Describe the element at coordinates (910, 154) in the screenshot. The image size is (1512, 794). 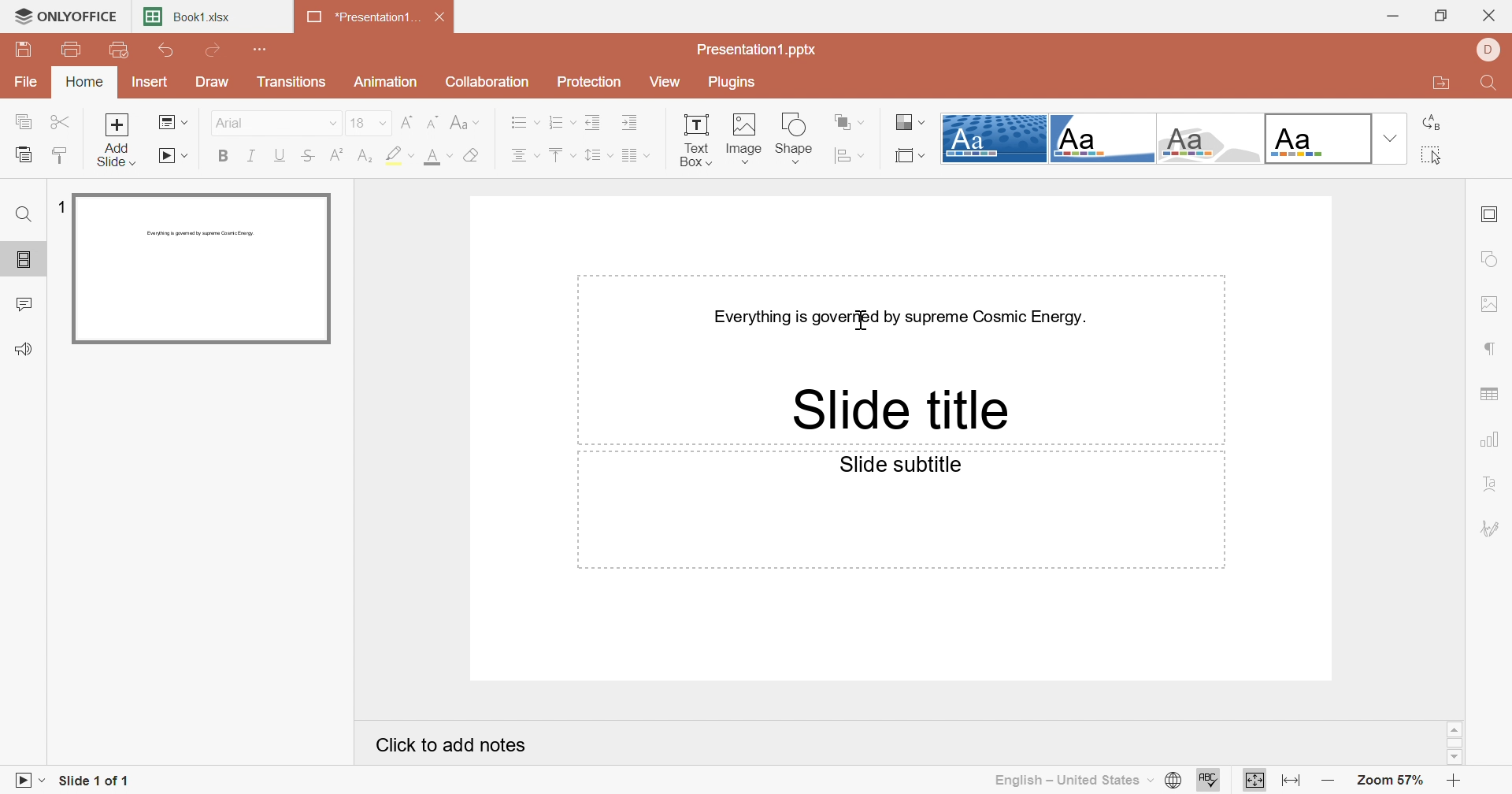
I see `Select slide size` at that location.